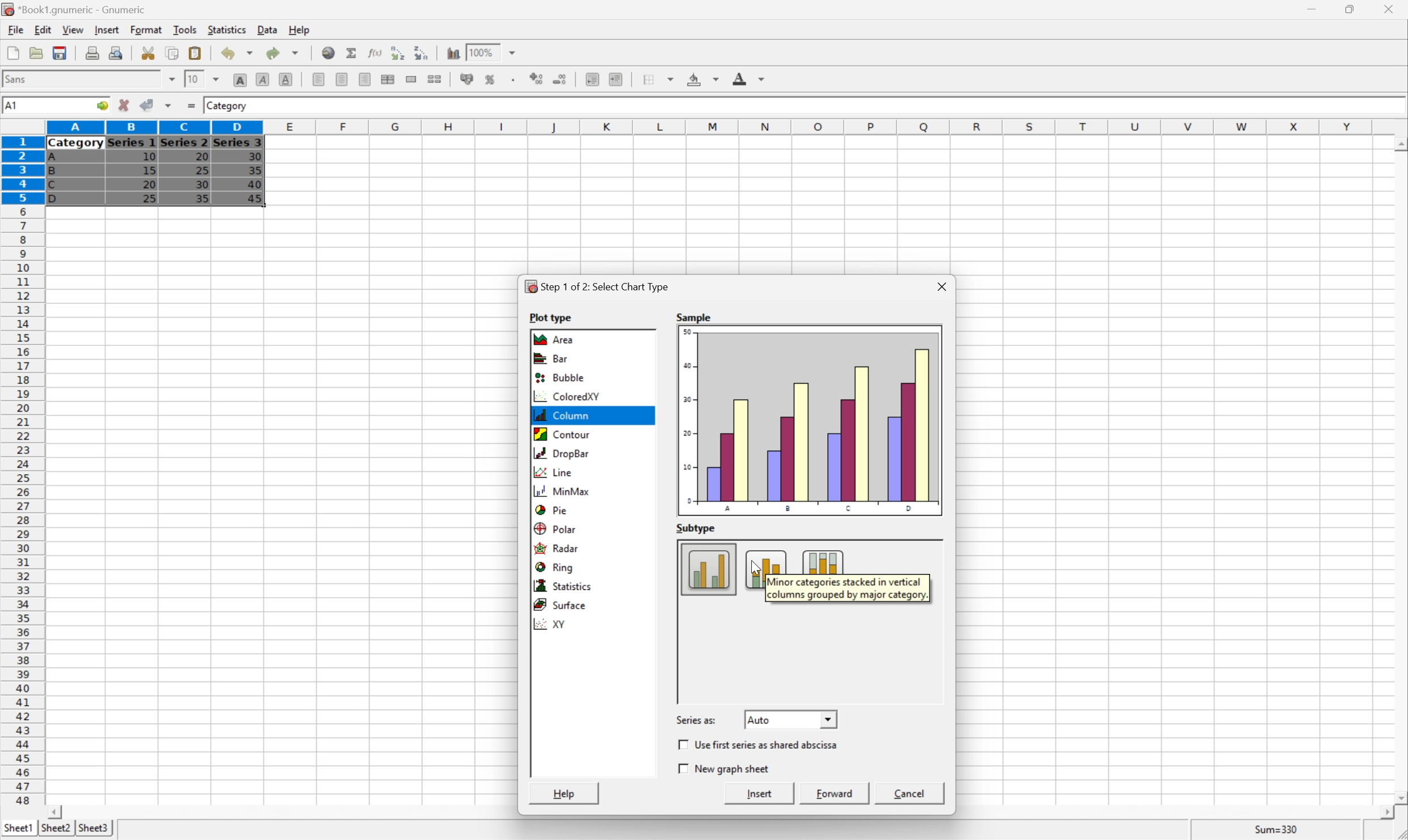 The height and width of the screenshot is (840, 1408). I want to click on New Graph Sheet, so click(731, 768).